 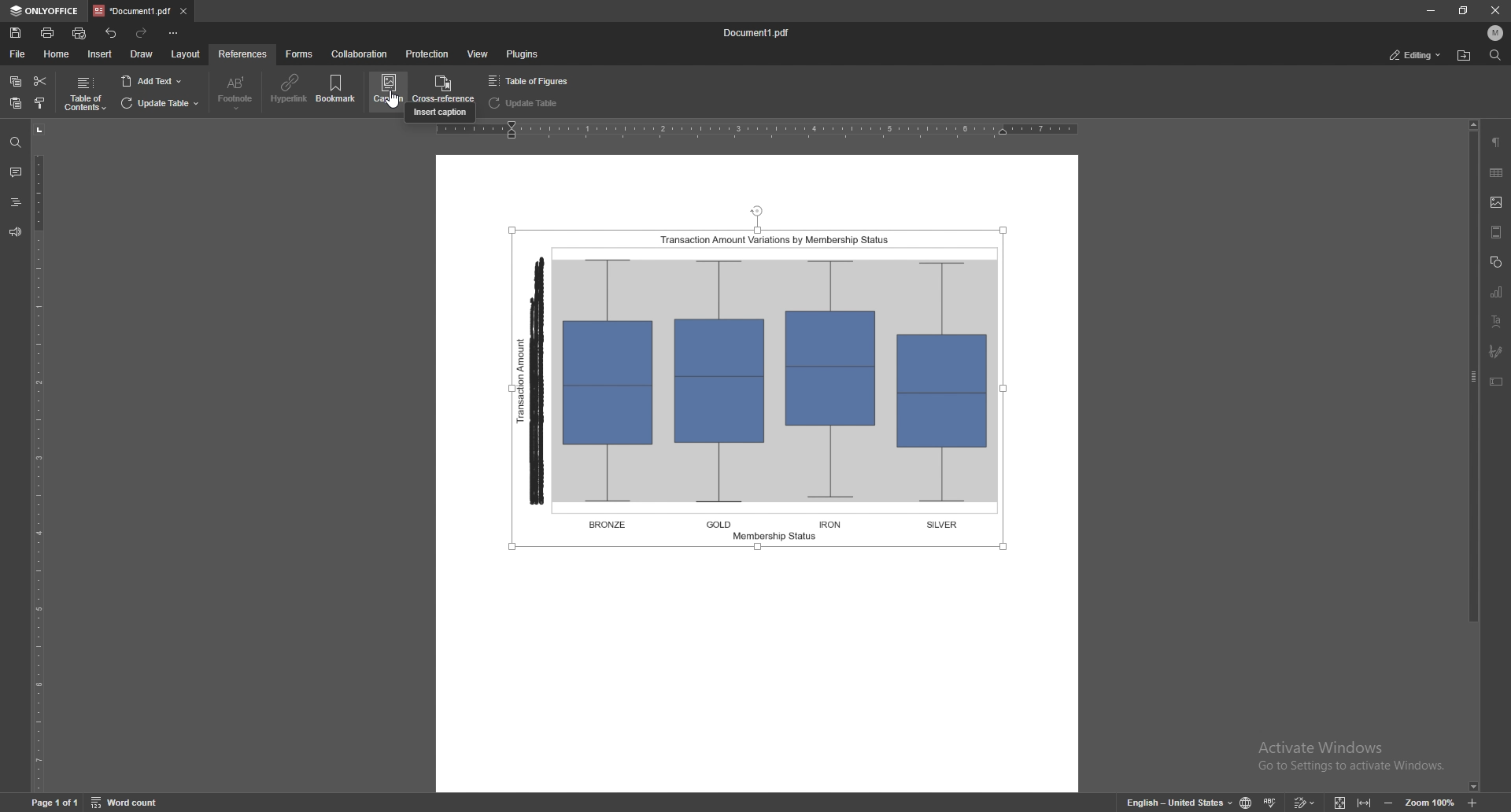 I want to click on forms, so click(x=301, y=54).